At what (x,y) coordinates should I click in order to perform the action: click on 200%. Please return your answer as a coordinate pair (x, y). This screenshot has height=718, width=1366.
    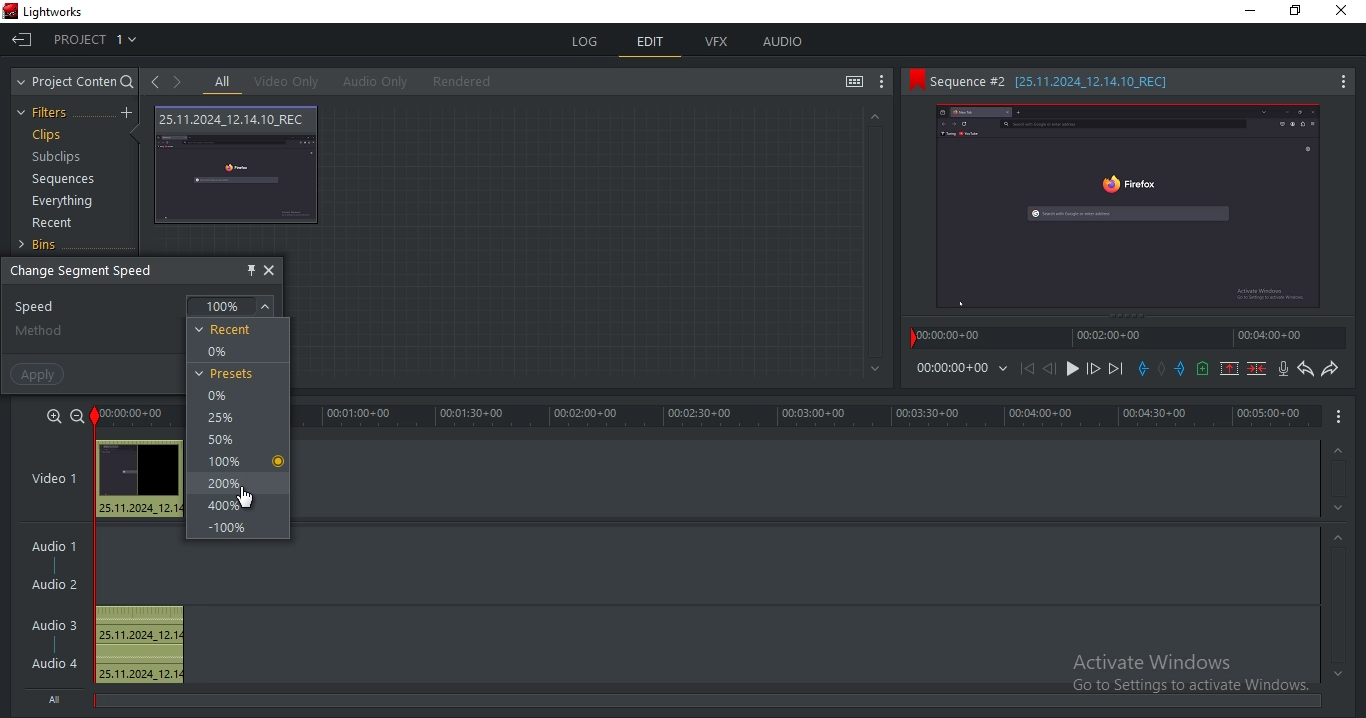
    Looking at the image, I should click on (231, 484).